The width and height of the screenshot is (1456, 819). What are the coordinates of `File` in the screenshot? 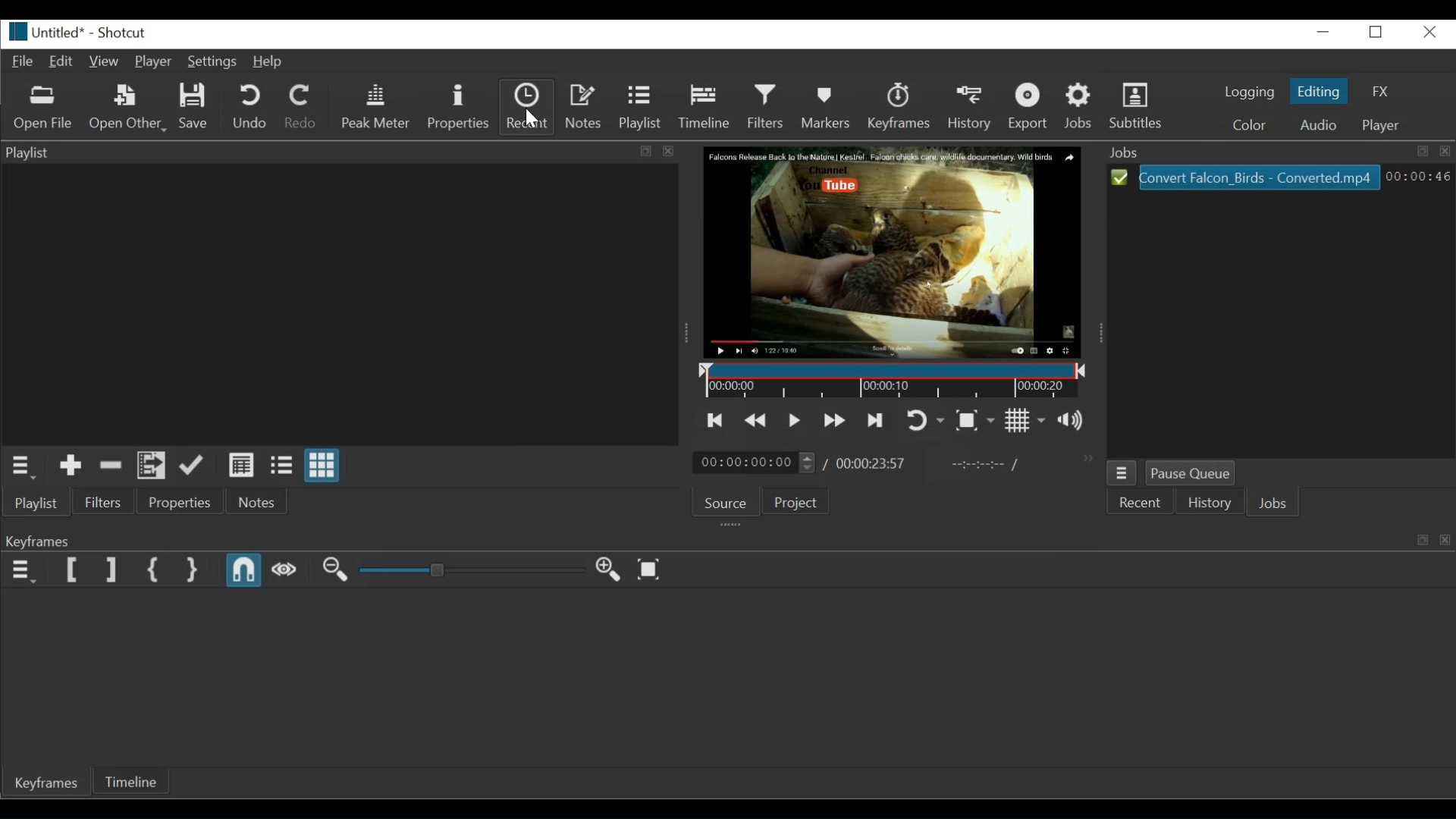 It's located at (22, 62).